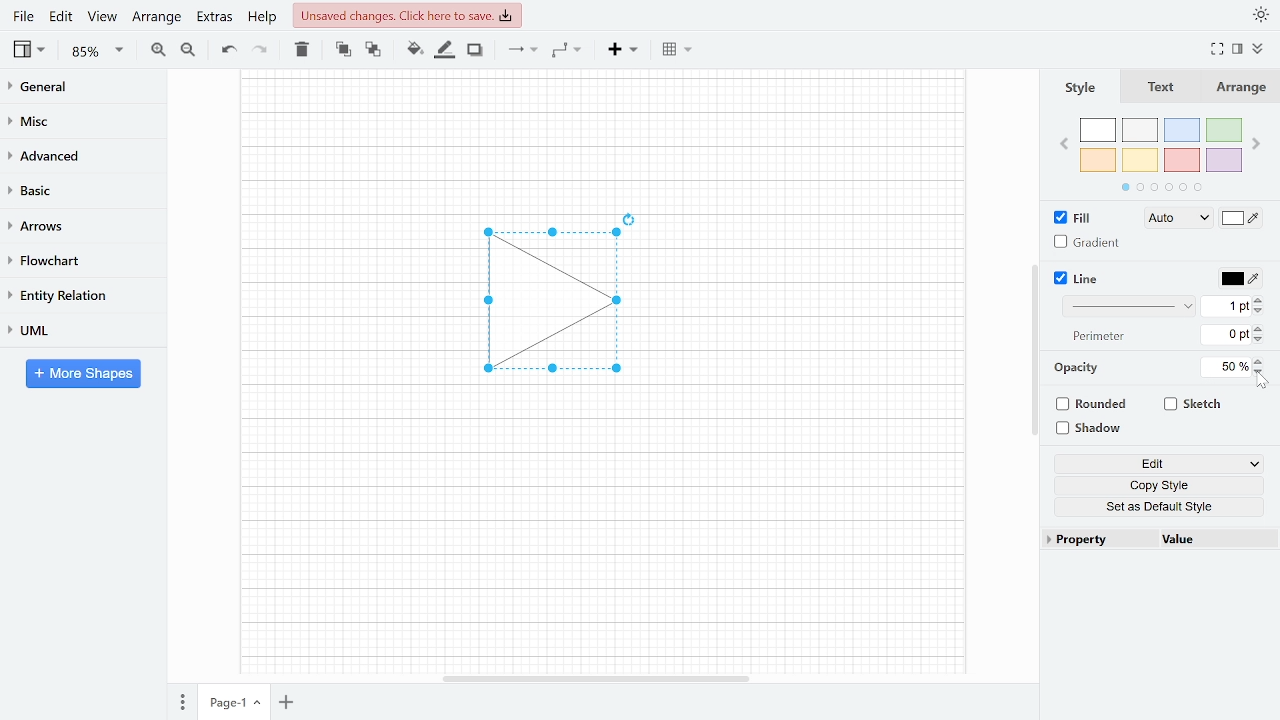 This screenshot has height=720, width=1280. I want to click on orange, so click(1098, 160).